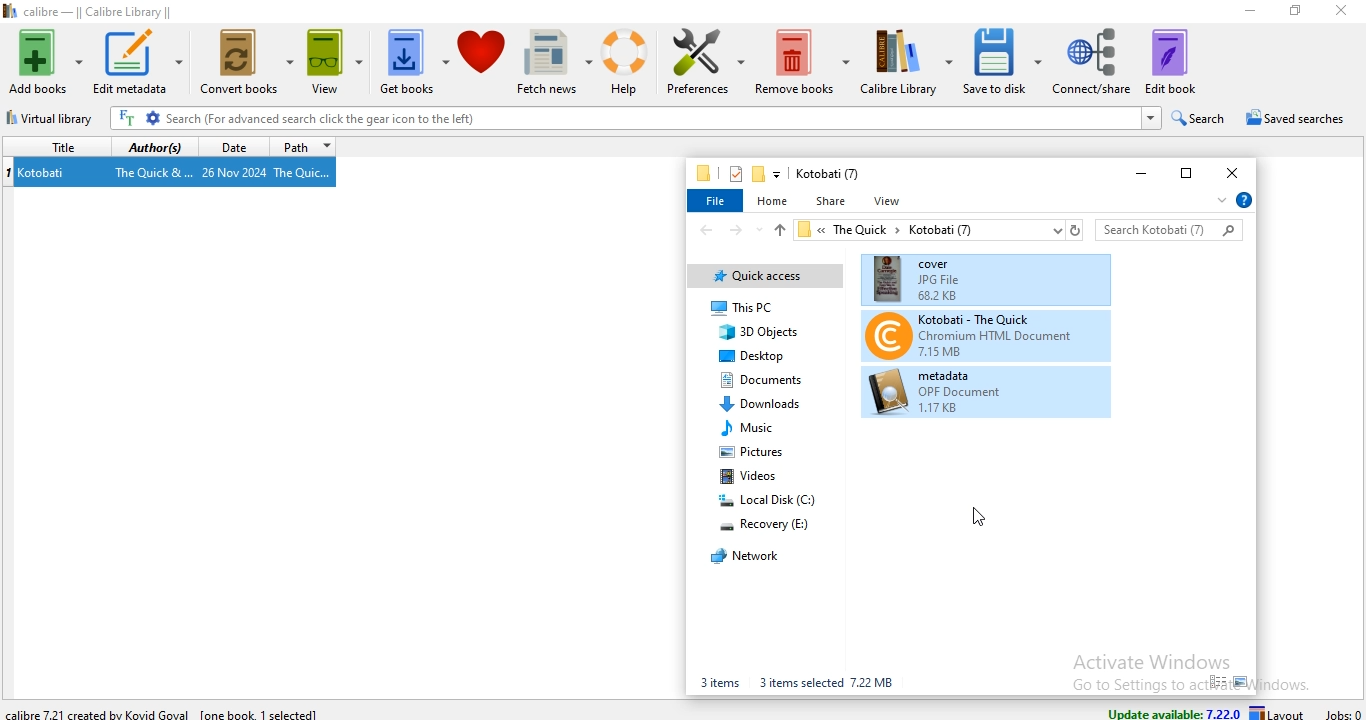  I want to click on back file path, so click(705, 230).